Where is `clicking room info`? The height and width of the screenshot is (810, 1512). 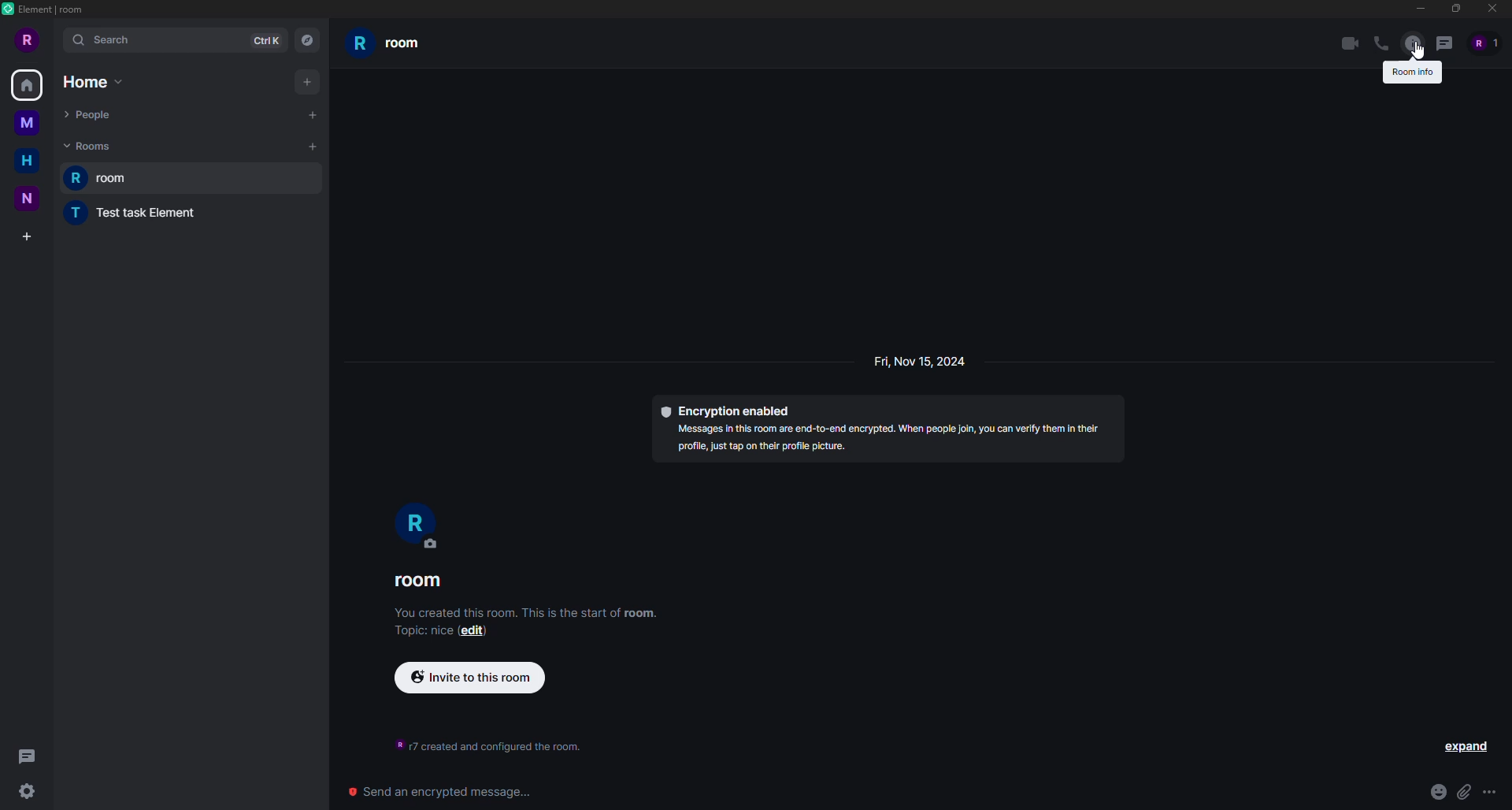 clicking room info is located at coordinates (1413, 43).